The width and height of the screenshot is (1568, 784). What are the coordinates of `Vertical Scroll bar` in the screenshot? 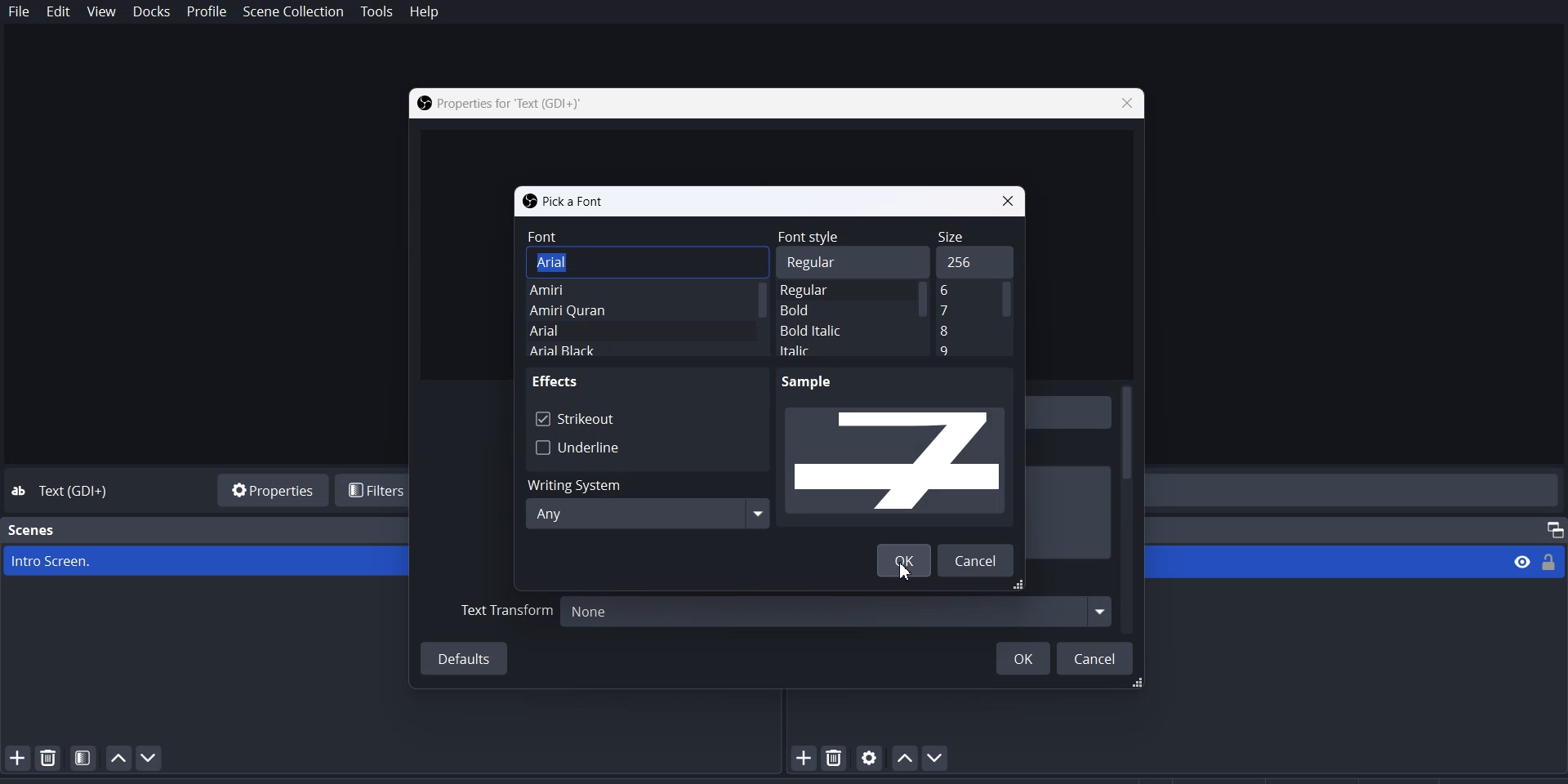 It's located at (924, 318).